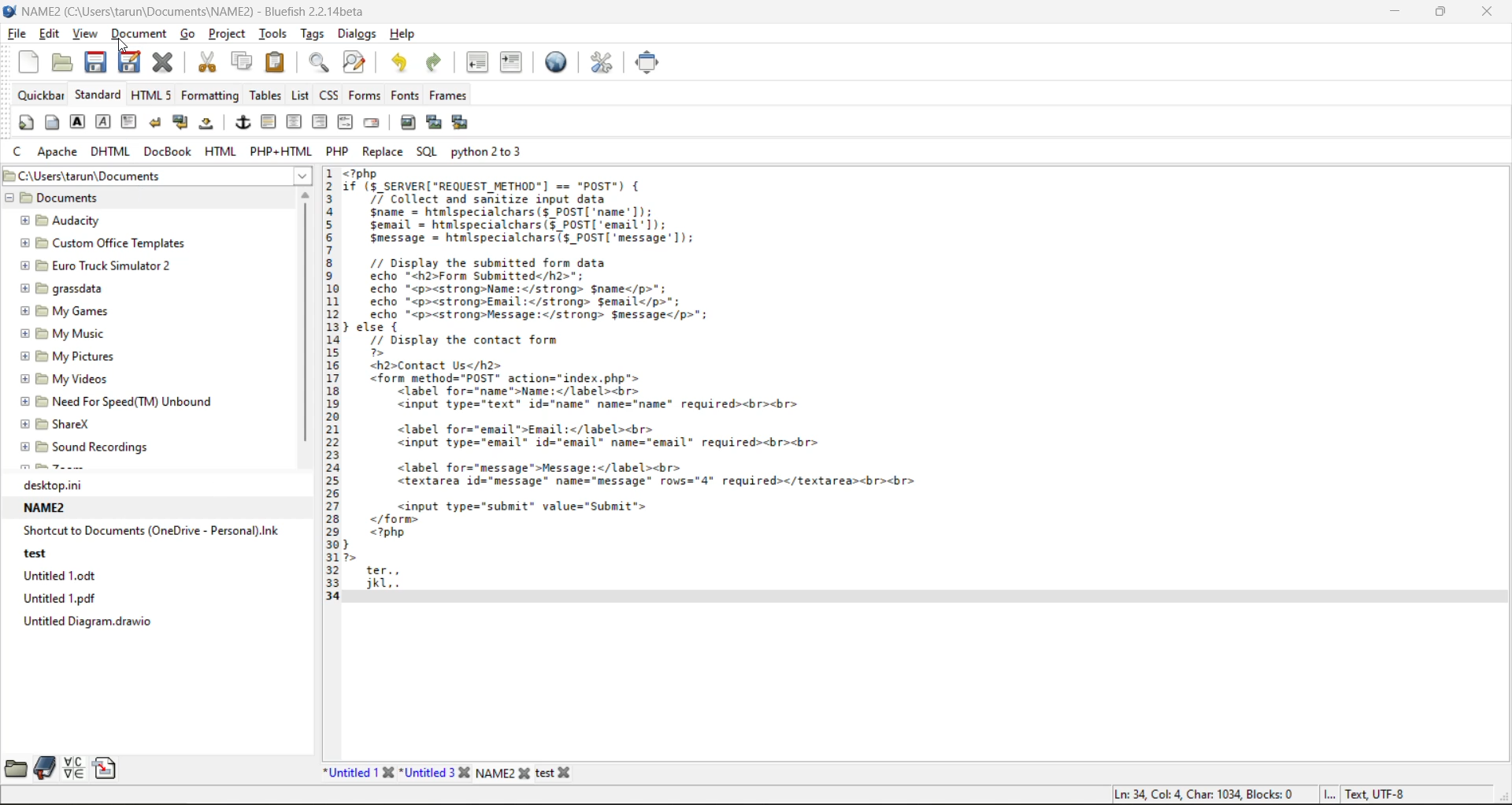 The width and height of the screenshot is (1512, 805). What do you see at coordinates (104, 766) in the screenshot?
I see `snippets` at bounding box center [104, 766].